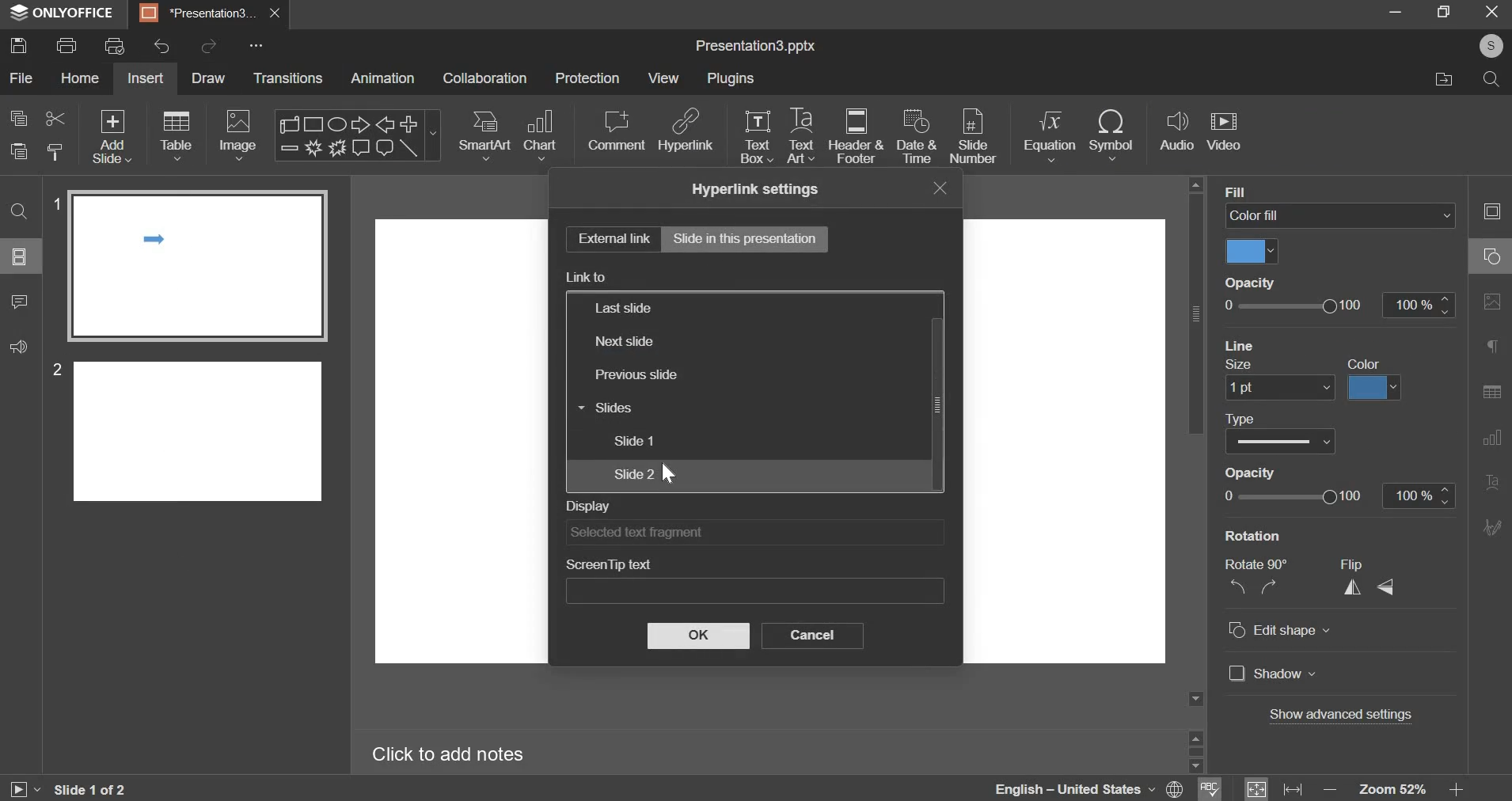 The width and height of the screenshot is (1512, 801). What do you see at coordinates (288, 78) in the screenshot?
I see `transitions` at bounding box center [288, 78].